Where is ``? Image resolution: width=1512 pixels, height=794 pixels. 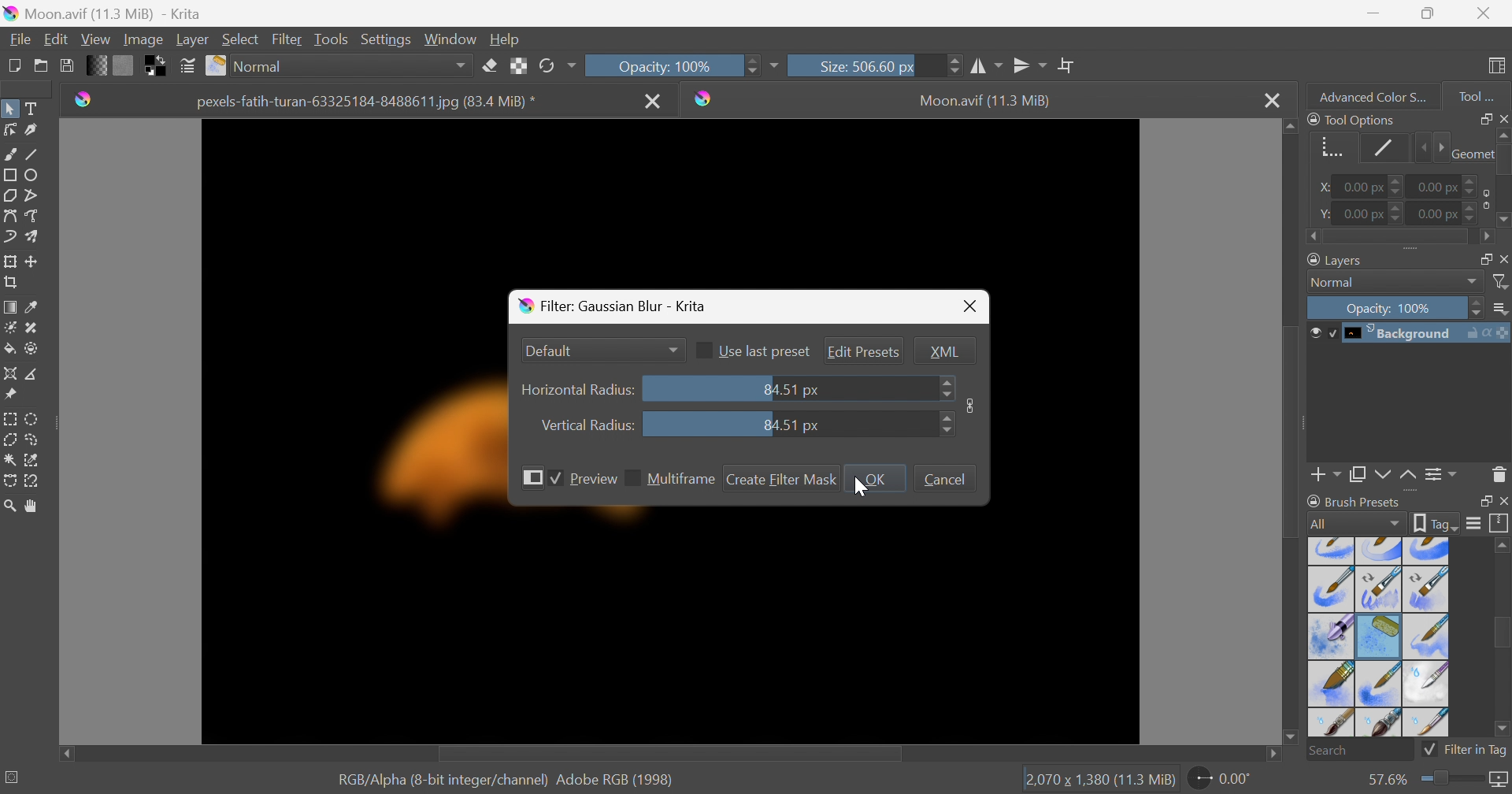  is located at coordinates (1351, 121).